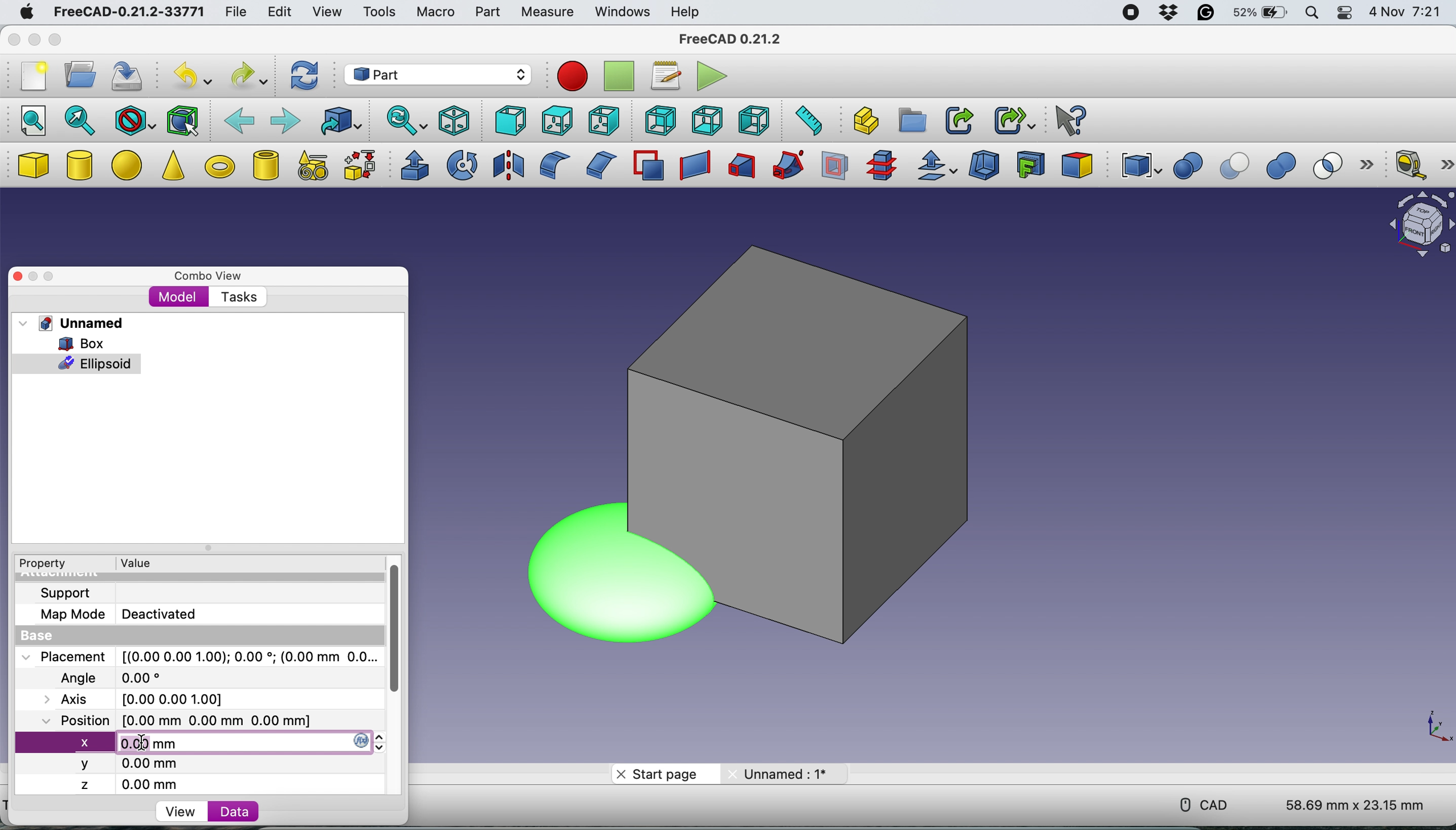 The width and height of the screenshot is (1456, 830). What do you see at coordinates (708, 121) in the screenshot?
I see `bottom` at bounding box center [708, 121].